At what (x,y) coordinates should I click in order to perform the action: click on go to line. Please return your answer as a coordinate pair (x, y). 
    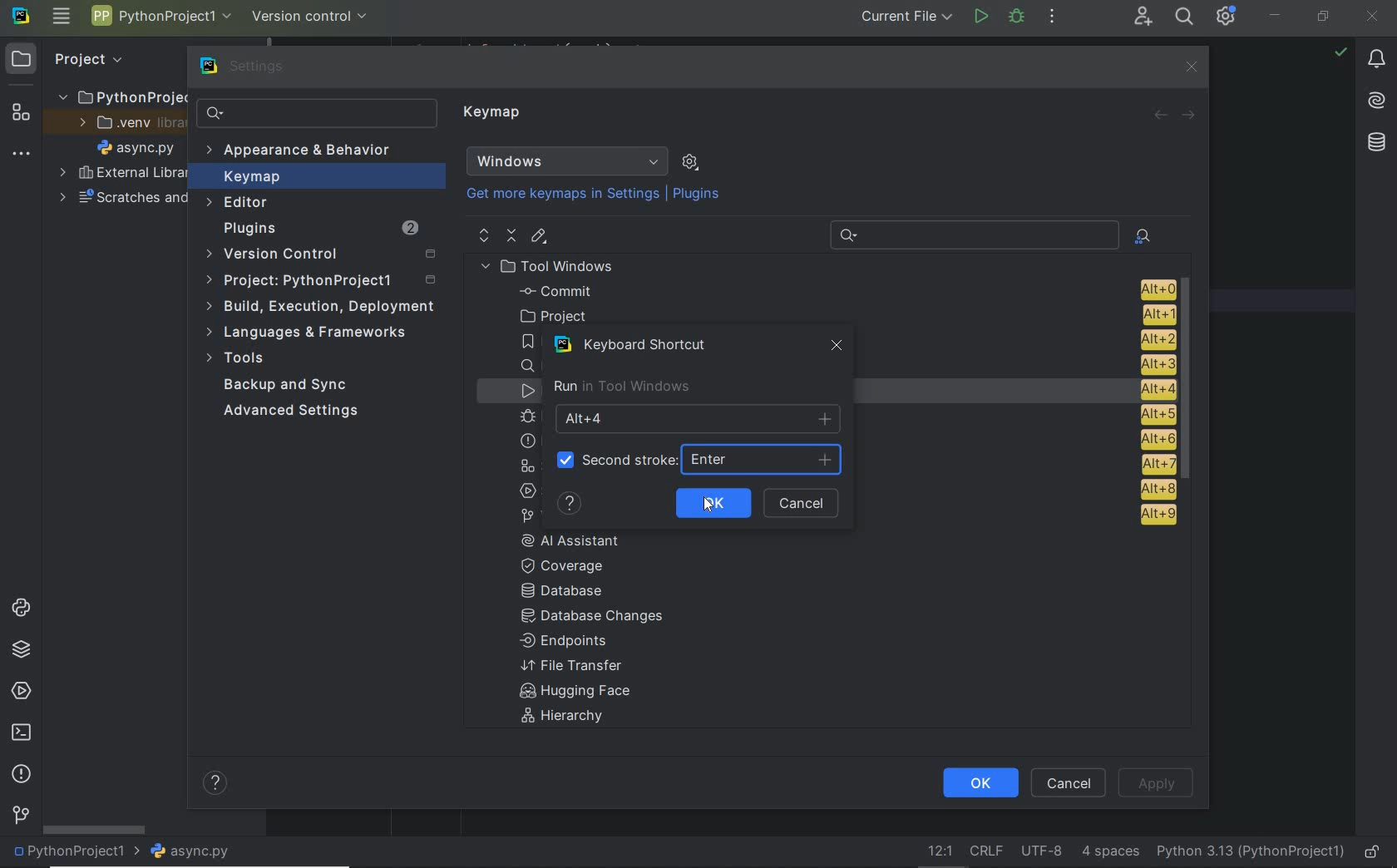
    Looking at the image, I should click on (937, 852).